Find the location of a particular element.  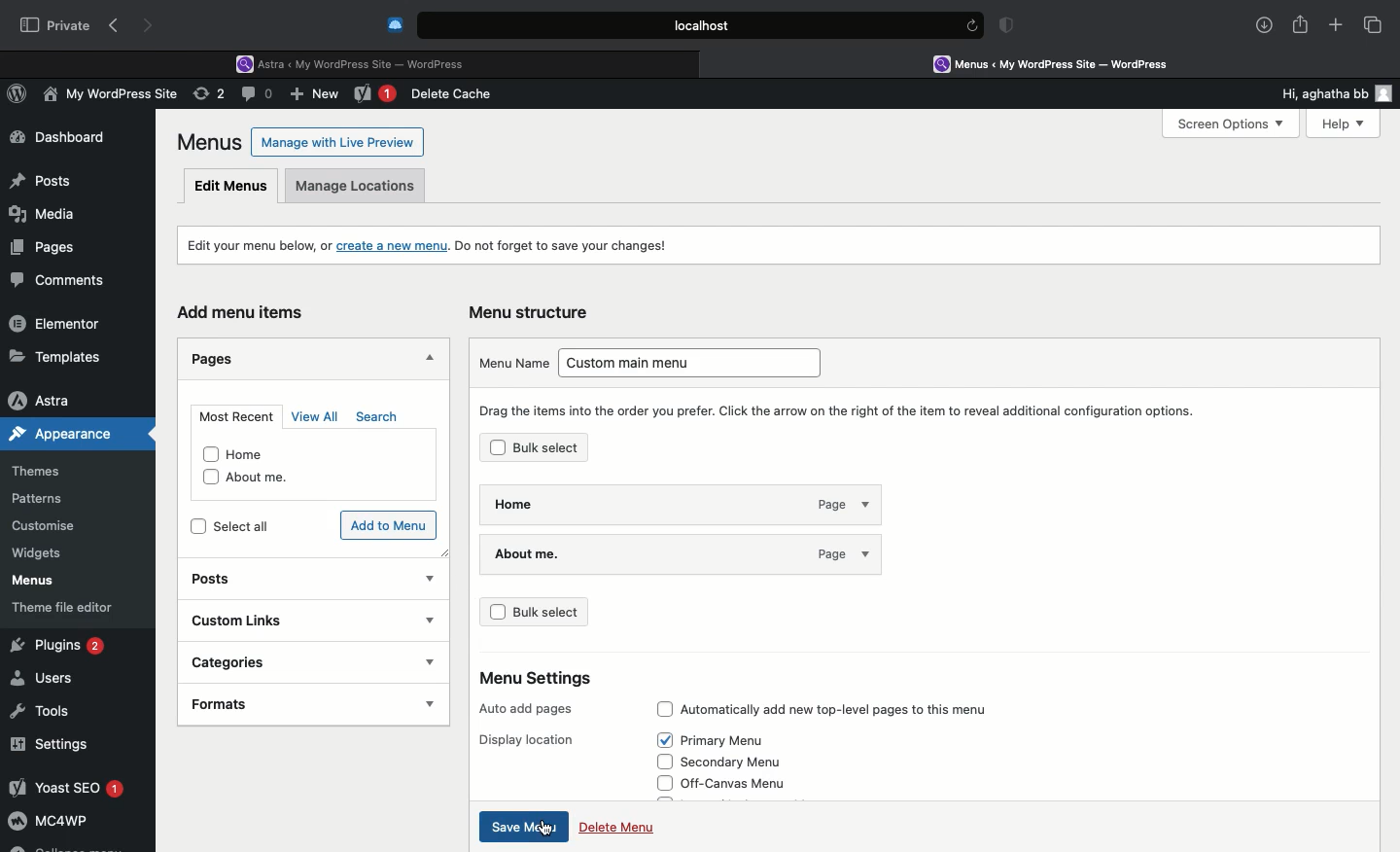

Elementor is located at coordinates (58, 323).